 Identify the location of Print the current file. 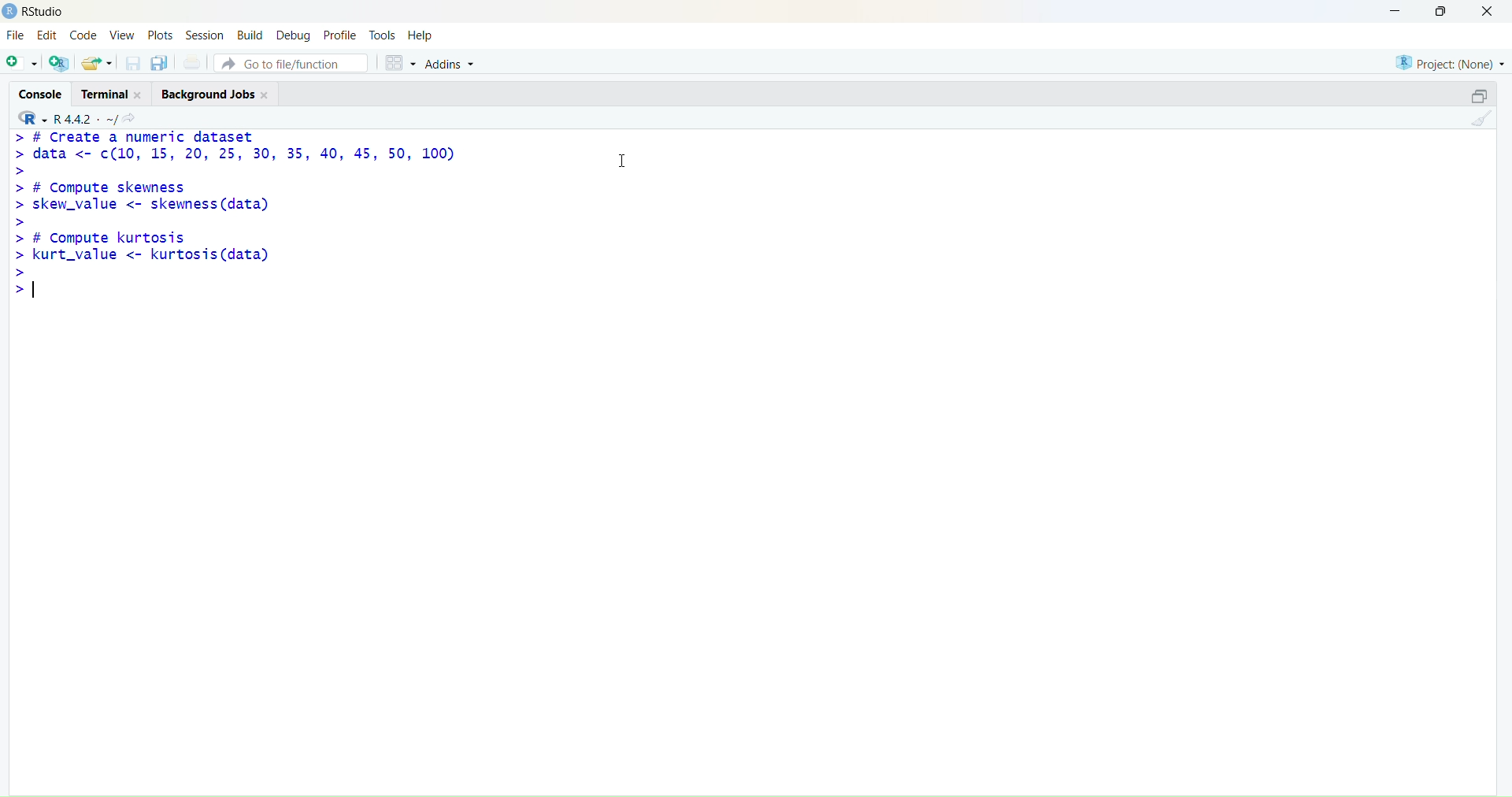
(191, 63).